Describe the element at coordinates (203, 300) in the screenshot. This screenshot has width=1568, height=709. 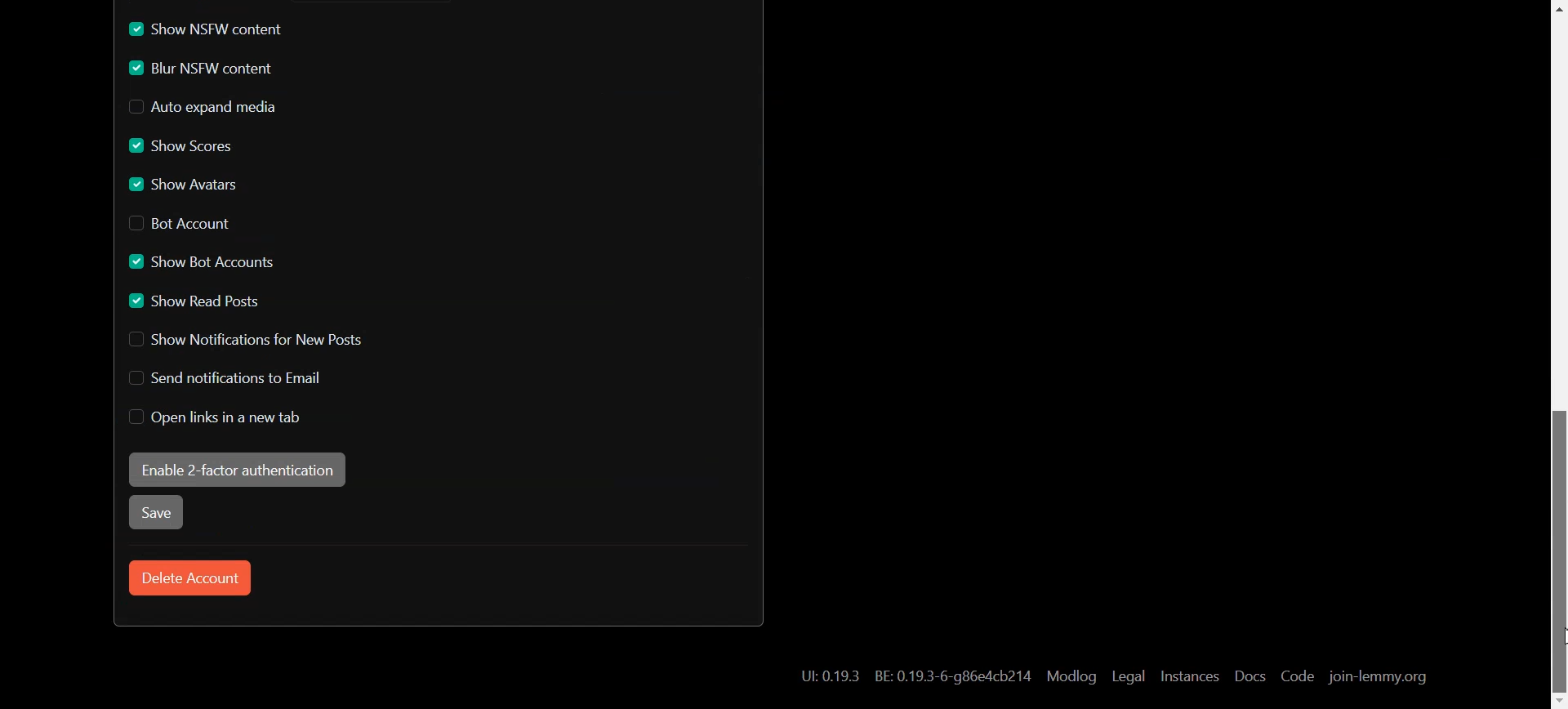
I see `Enable Show read Posts` at that location.